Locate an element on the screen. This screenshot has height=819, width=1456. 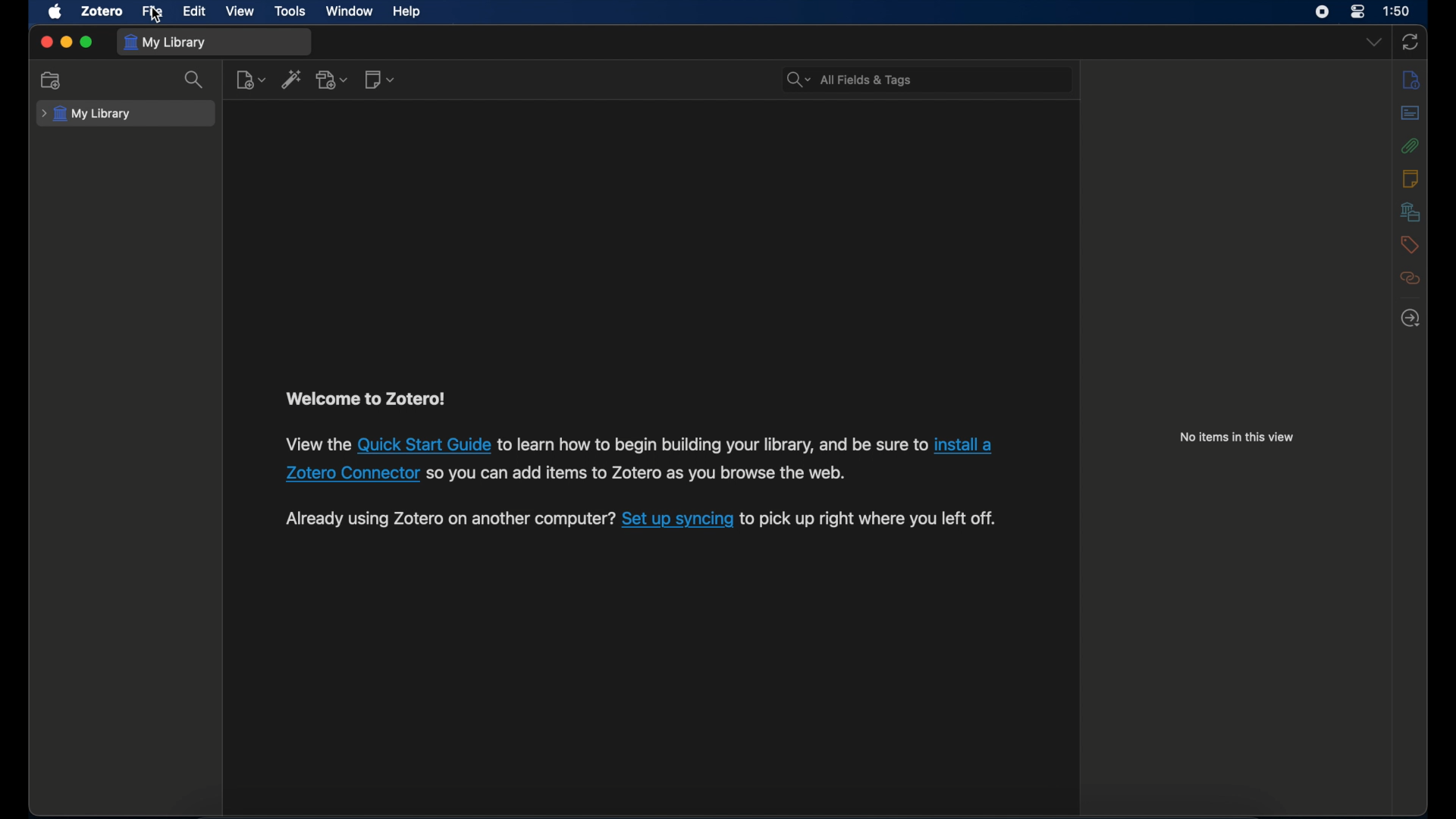
locate is located at coordinates (1410, 318).